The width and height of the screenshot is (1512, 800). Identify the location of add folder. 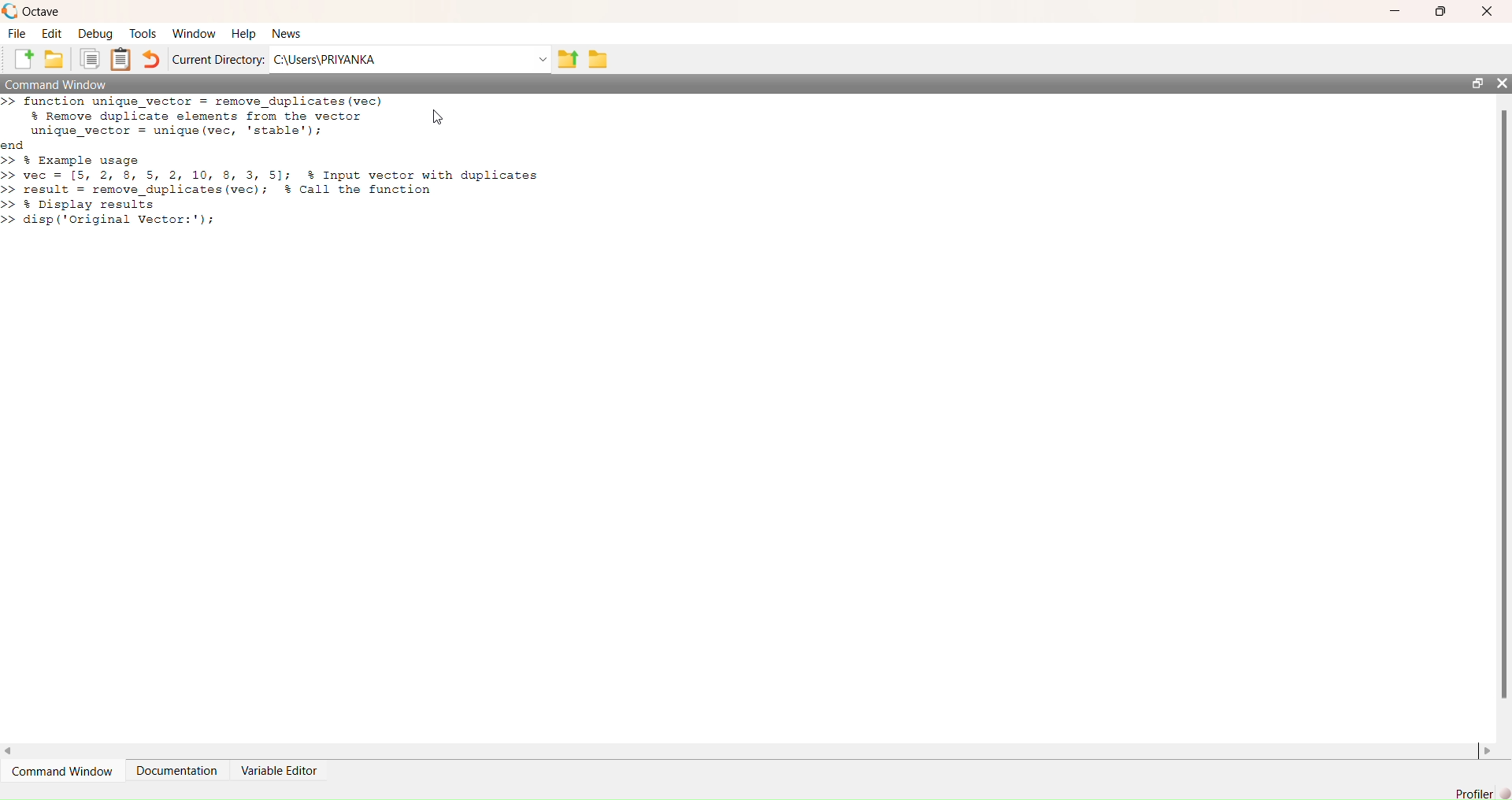
(54, 58).